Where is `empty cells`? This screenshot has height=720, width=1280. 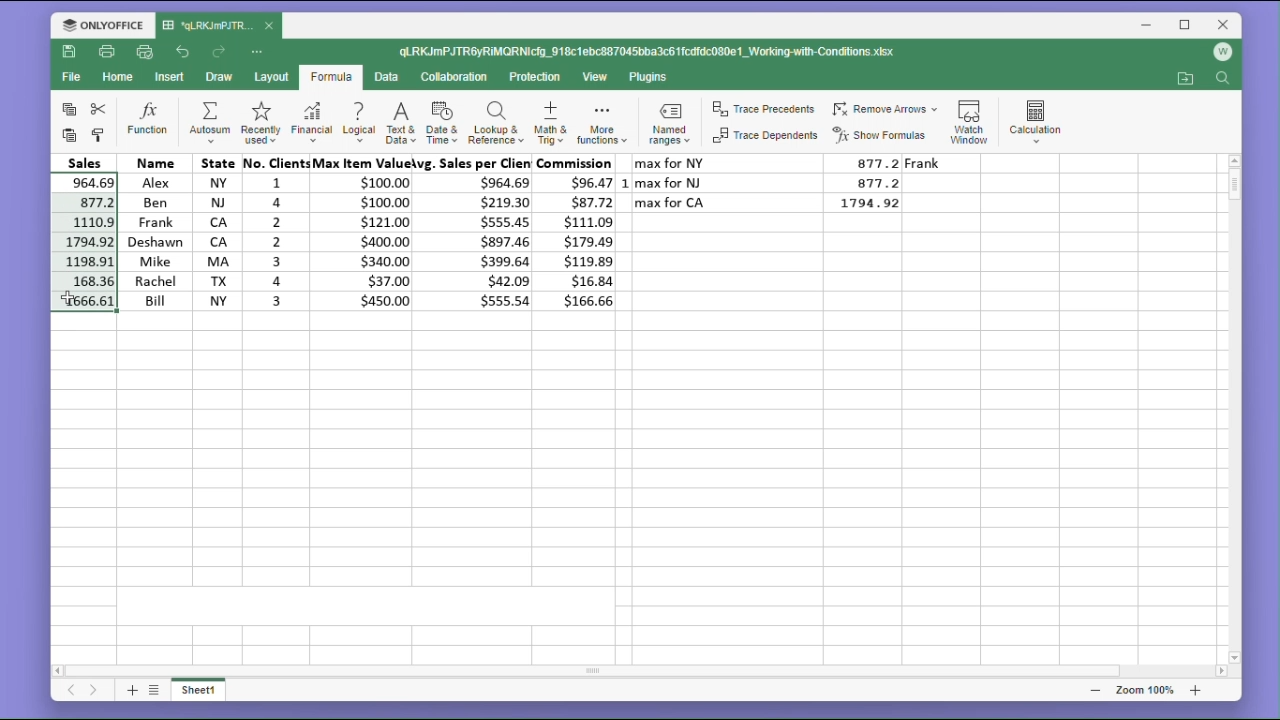
empty cells is located at coordinates (637, 485).